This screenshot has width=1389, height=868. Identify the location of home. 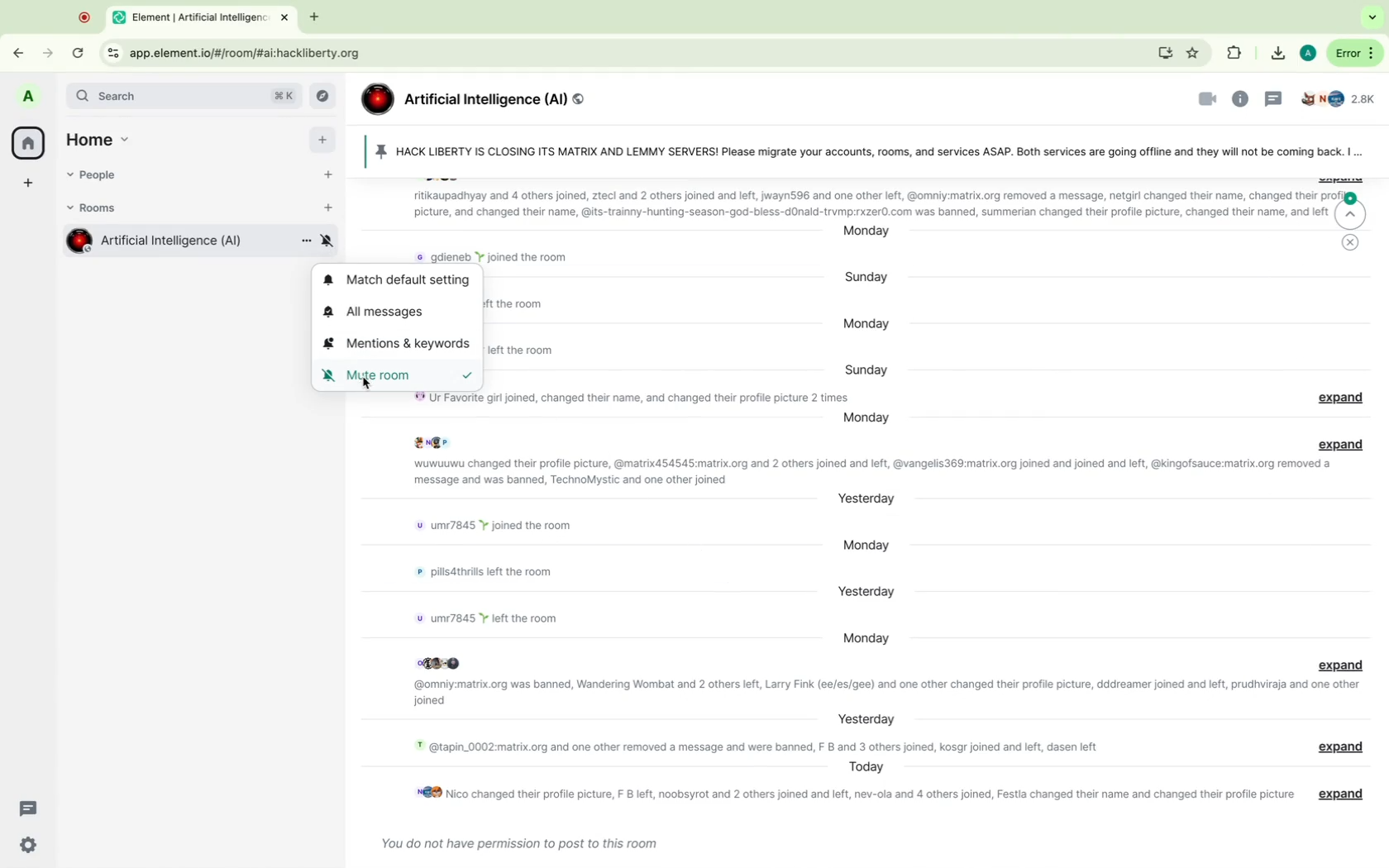
(27, 141).